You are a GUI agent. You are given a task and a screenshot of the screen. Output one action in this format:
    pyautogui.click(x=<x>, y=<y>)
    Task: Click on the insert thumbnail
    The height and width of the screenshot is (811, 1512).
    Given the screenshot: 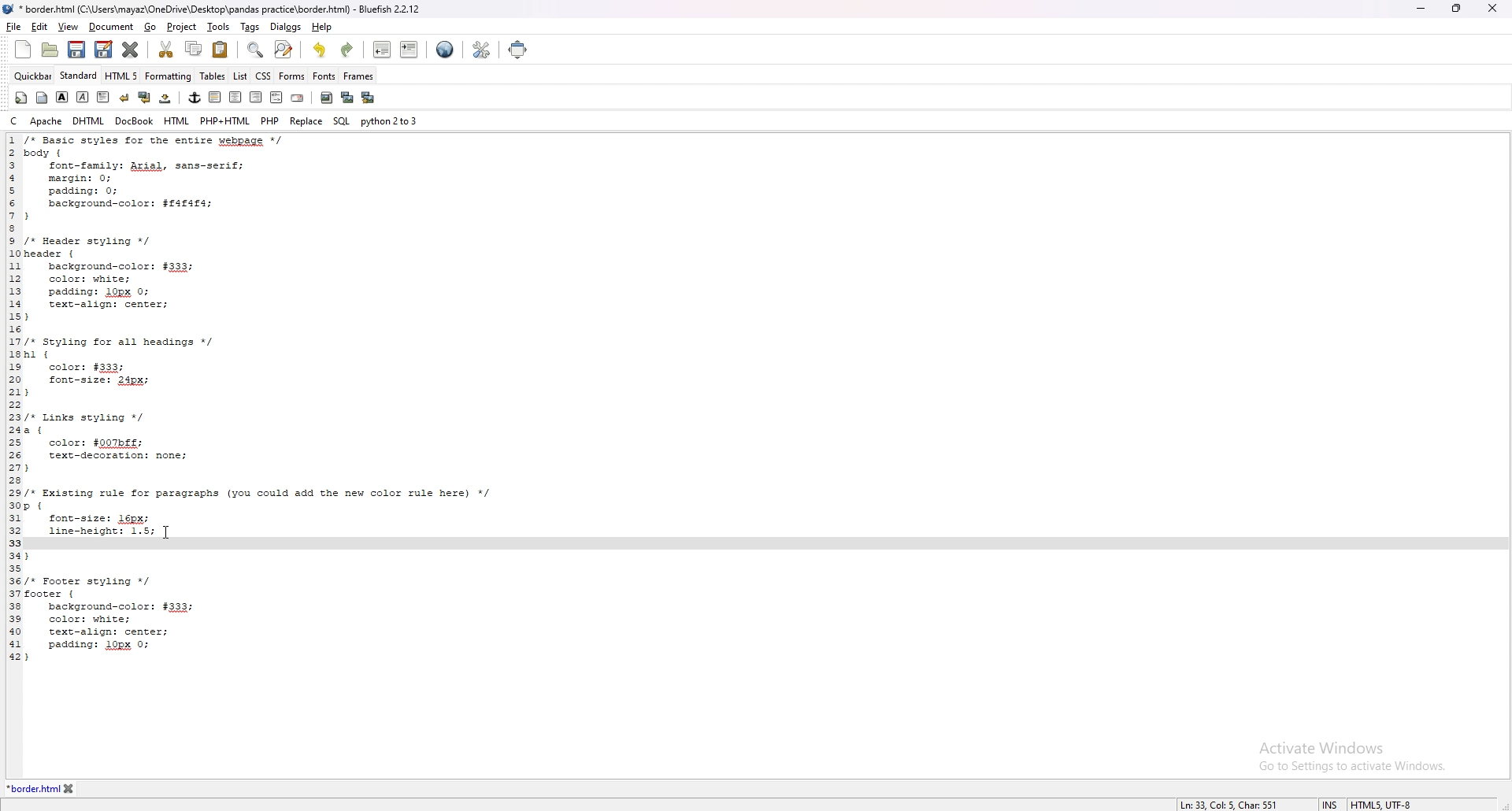 What is the action you would take?
    pyautogui.click(x=347, y=98)
    